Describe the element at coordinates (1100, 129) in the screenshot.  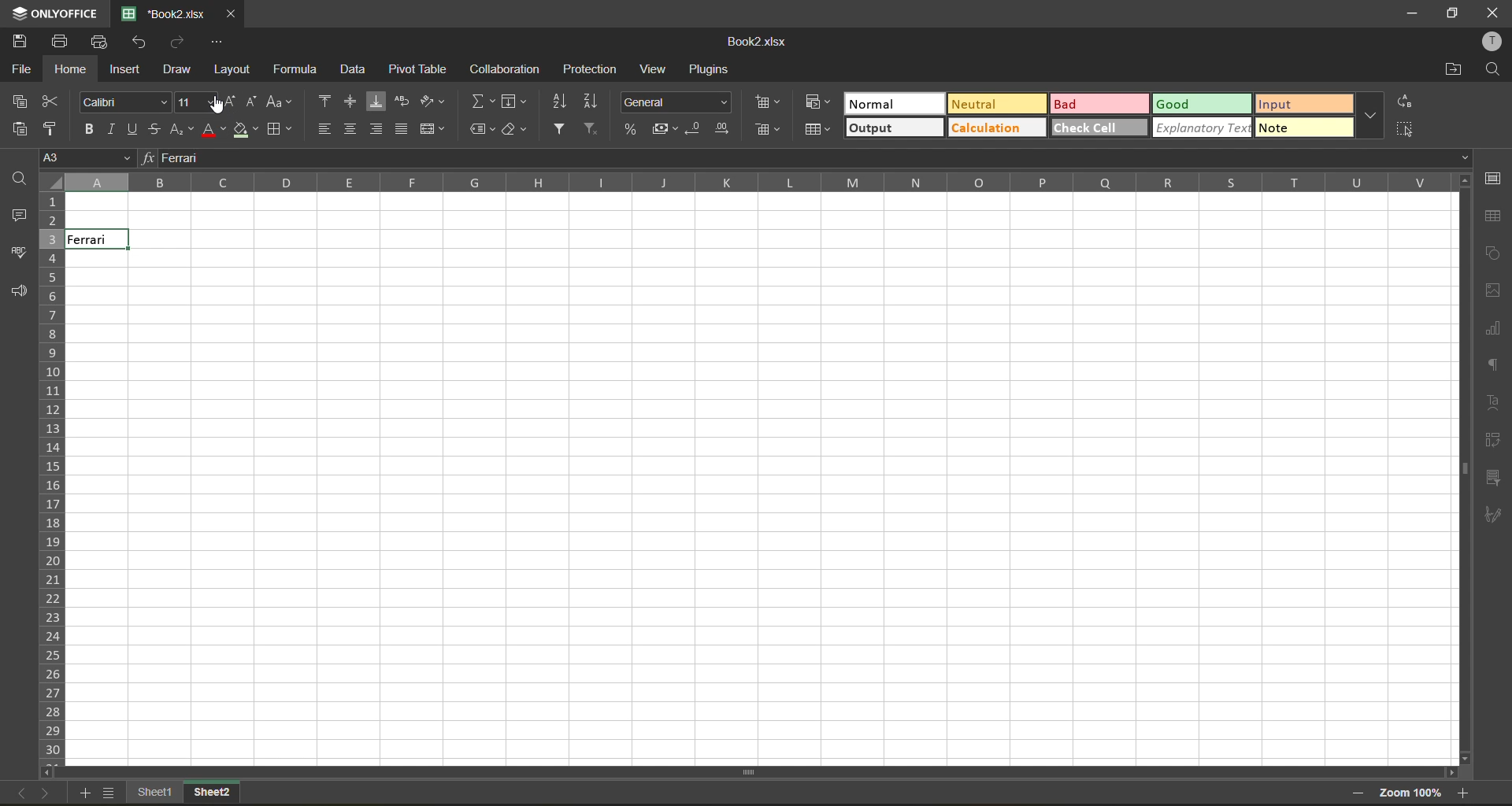
I see `check cell` at that location.